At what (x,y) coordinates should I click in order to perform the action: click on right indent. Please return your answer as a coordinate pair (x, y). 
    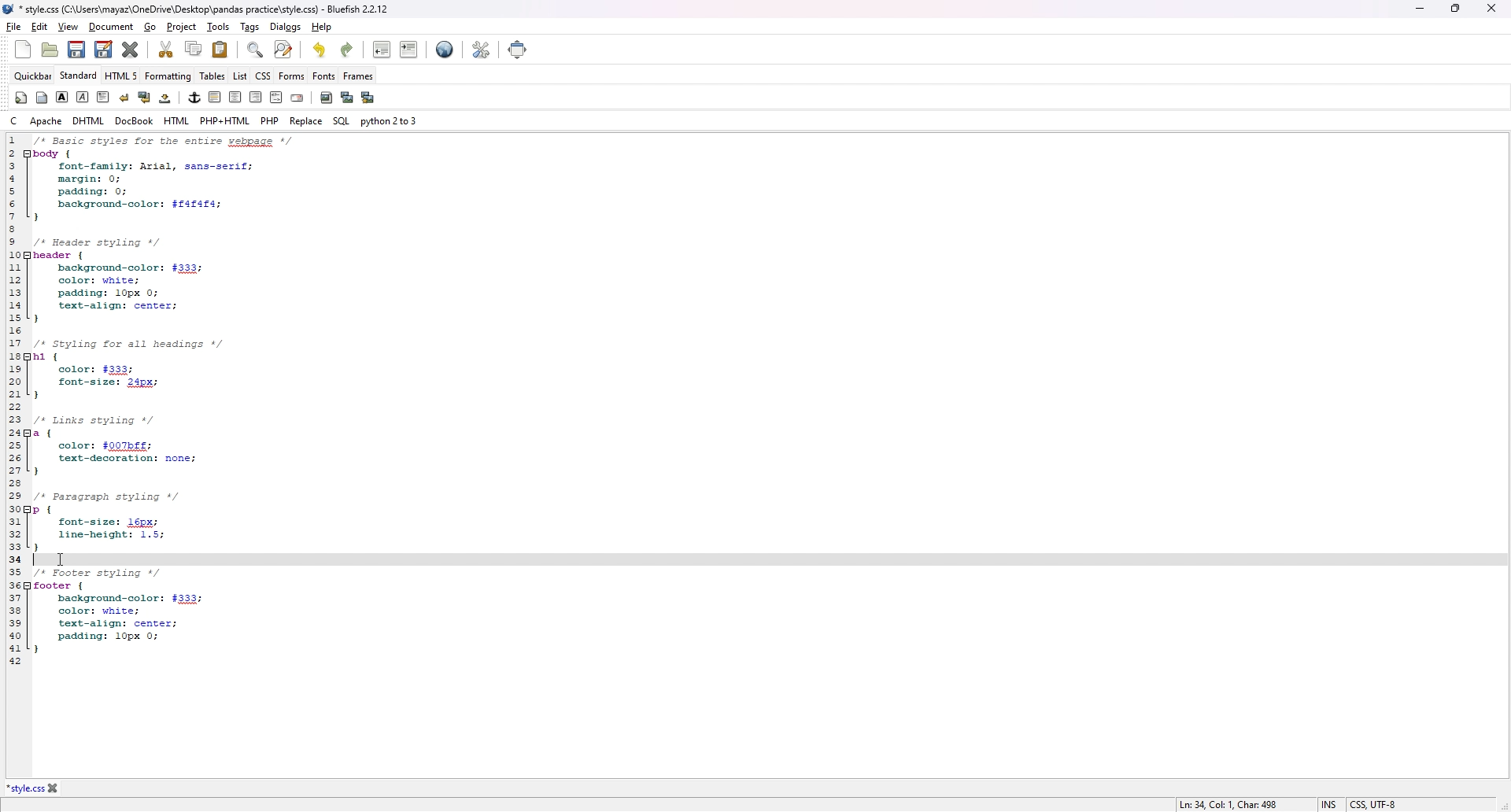
    Looking at the image, I should click on (215, 97).